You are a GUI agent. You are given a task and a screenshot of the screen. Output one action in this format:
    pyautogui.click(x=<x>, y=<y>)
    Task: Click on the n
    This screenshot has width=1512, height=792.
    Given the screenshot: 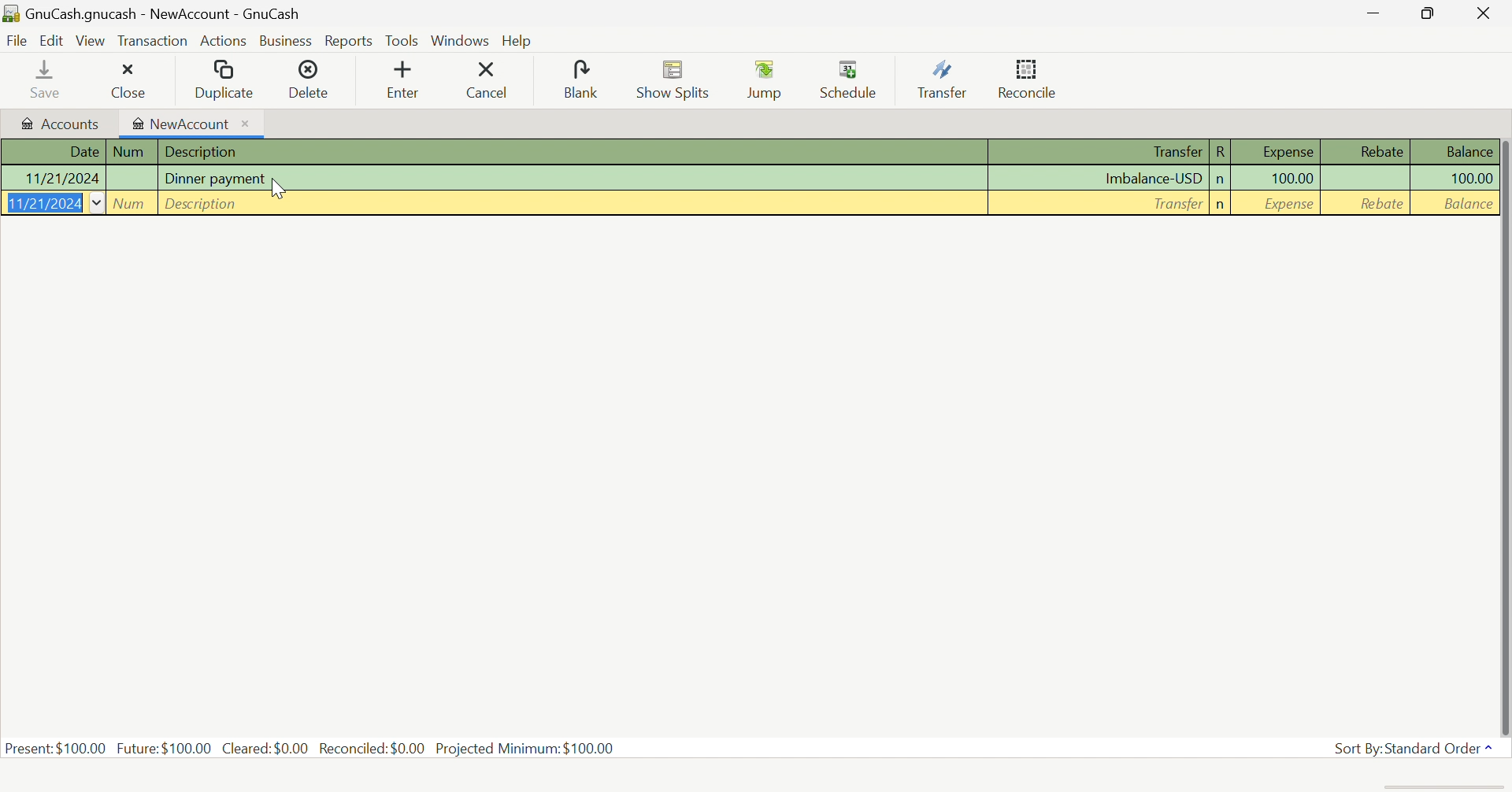 What is the action you would take?
    pyautogui.click(x=1222, y=206)
    